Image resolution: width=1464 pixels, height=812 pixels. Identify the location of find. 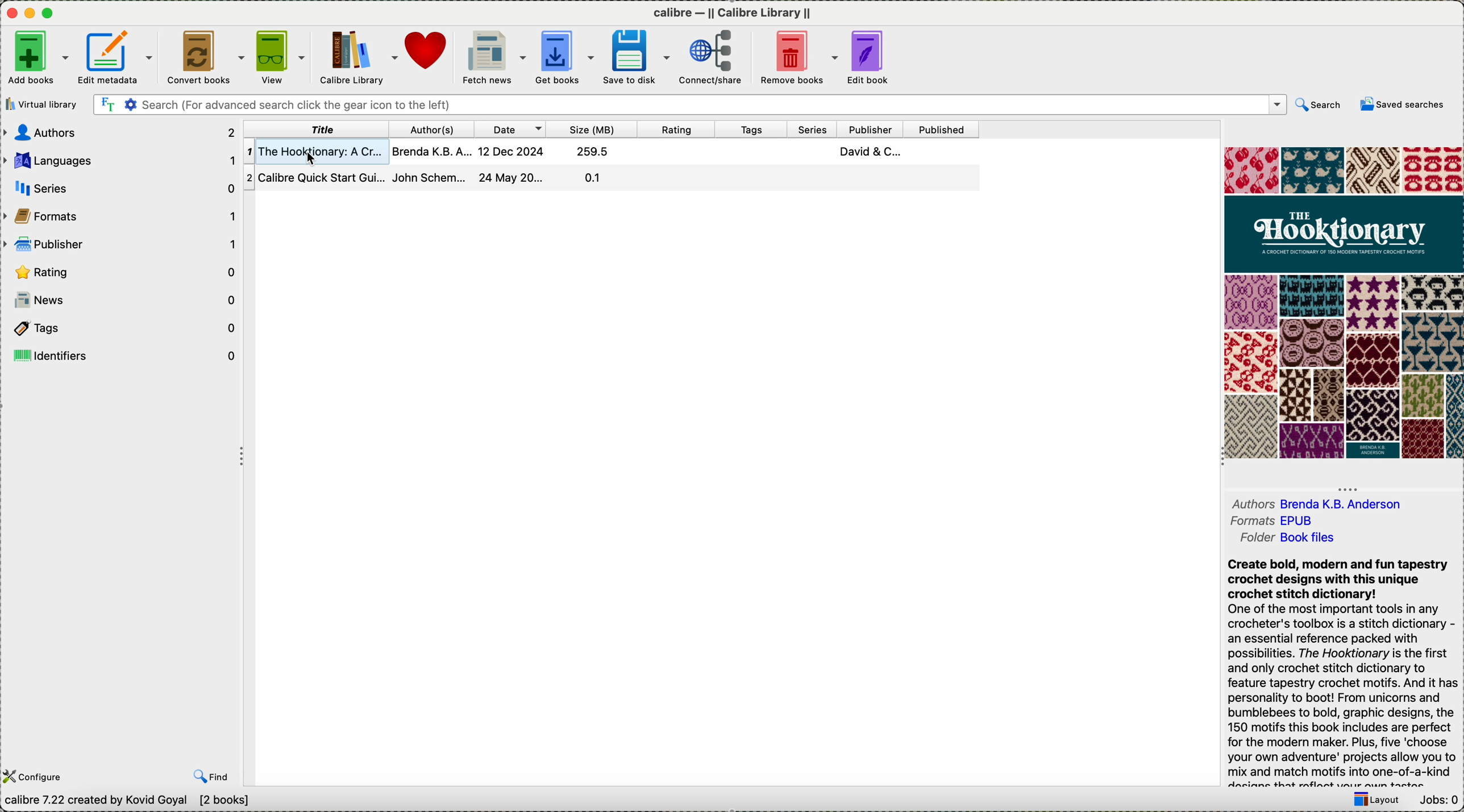
(211, 774).